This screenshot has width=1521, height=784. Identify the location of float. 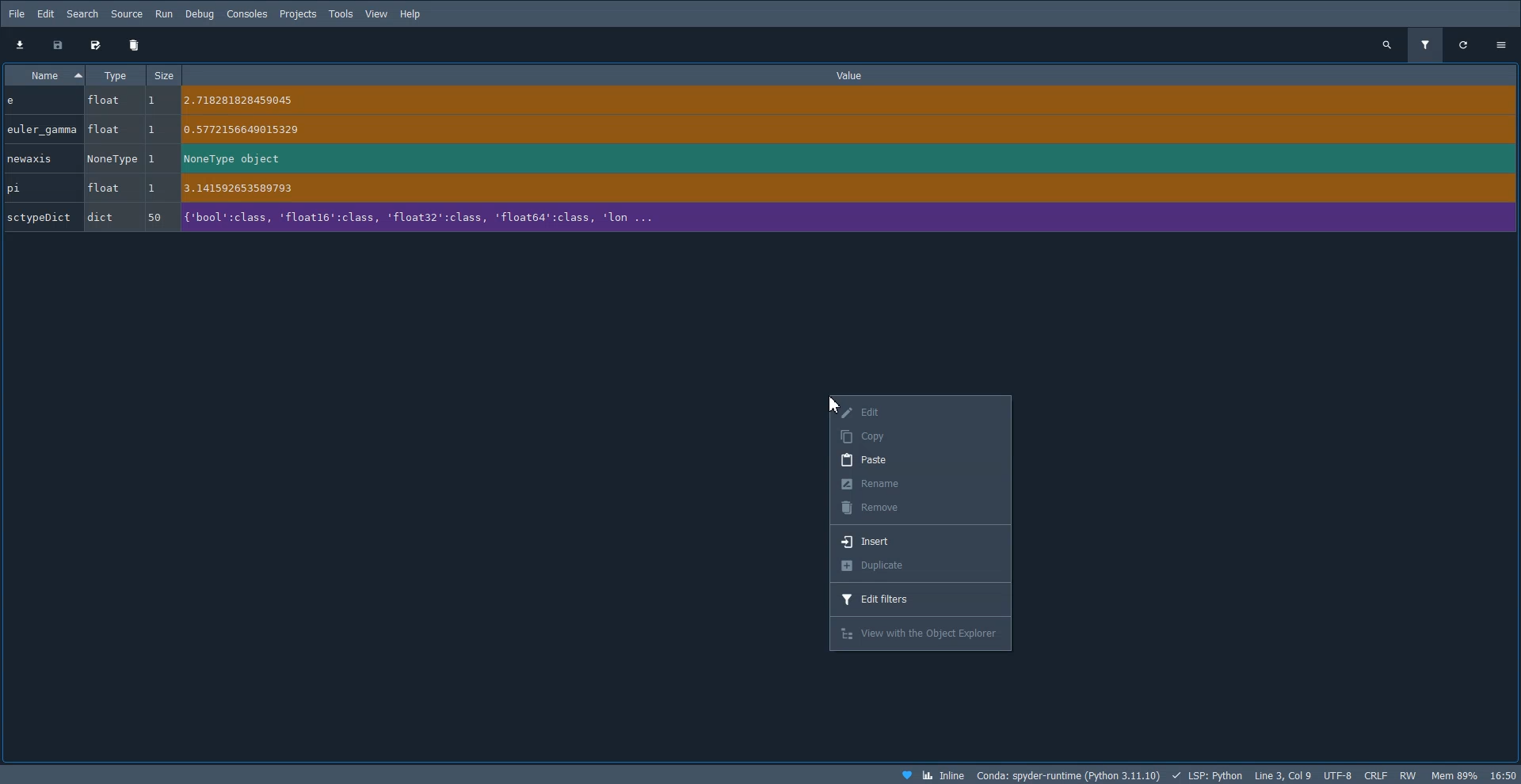
(102, 130).